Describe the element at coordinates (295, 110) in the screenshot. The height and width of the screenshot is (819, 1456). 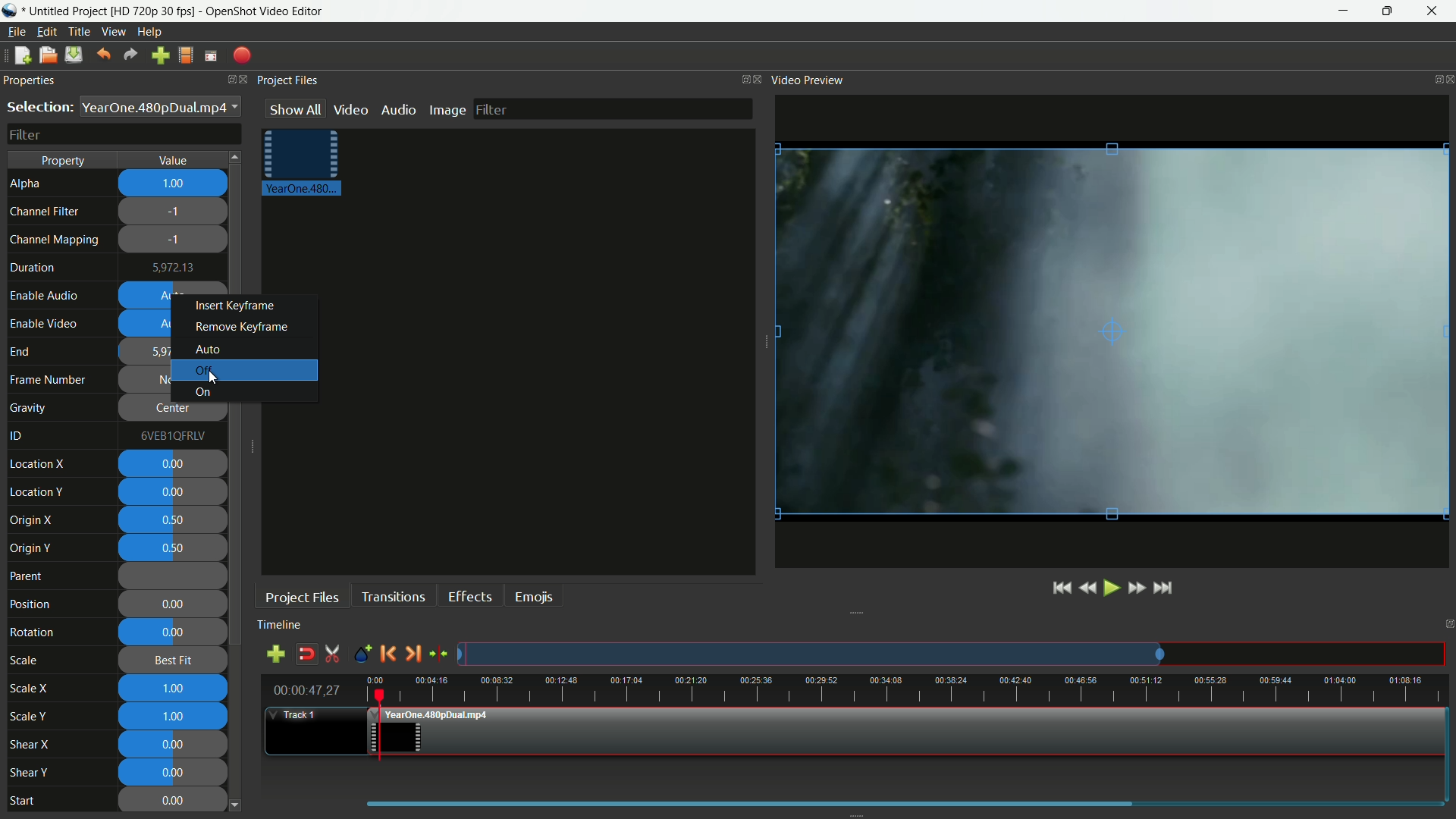
I see `show all` at that location.